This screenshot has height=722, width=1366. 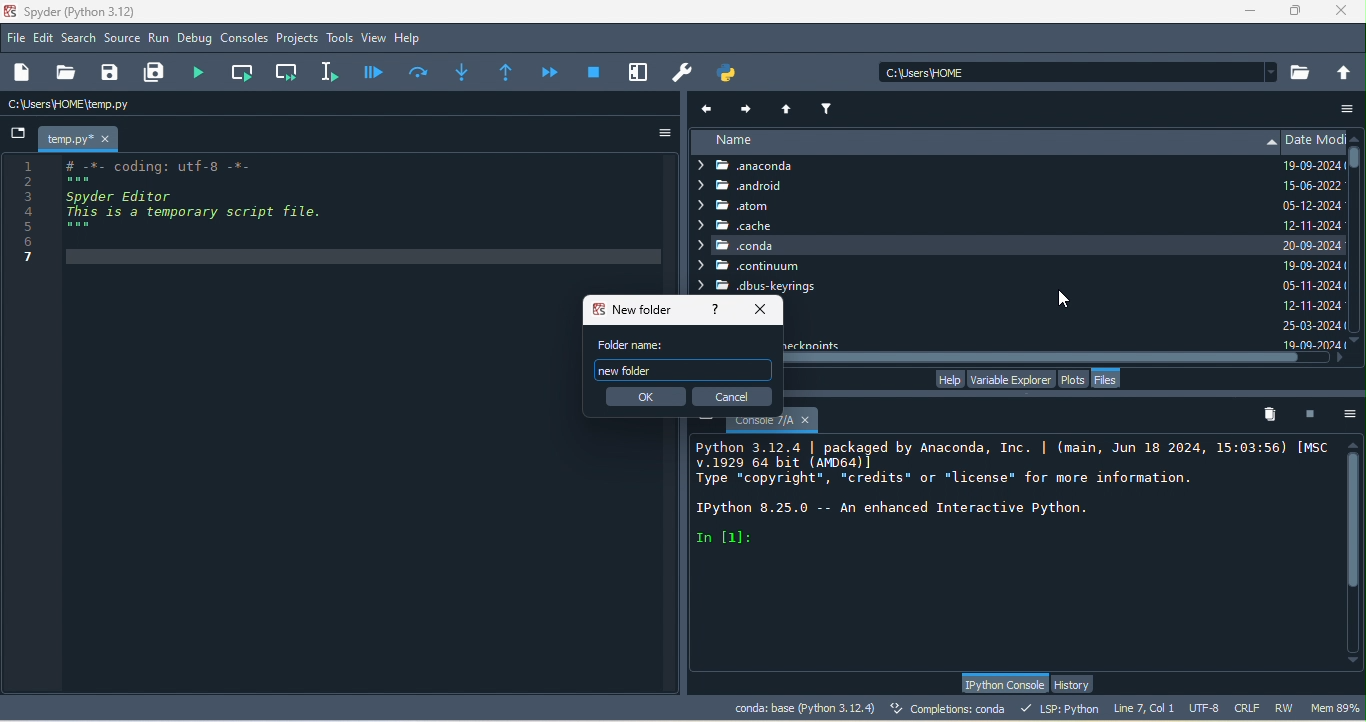 What do you see at coordinates (753, 187) in the screenshot?
I see `android` at bounding box center [753, 187].